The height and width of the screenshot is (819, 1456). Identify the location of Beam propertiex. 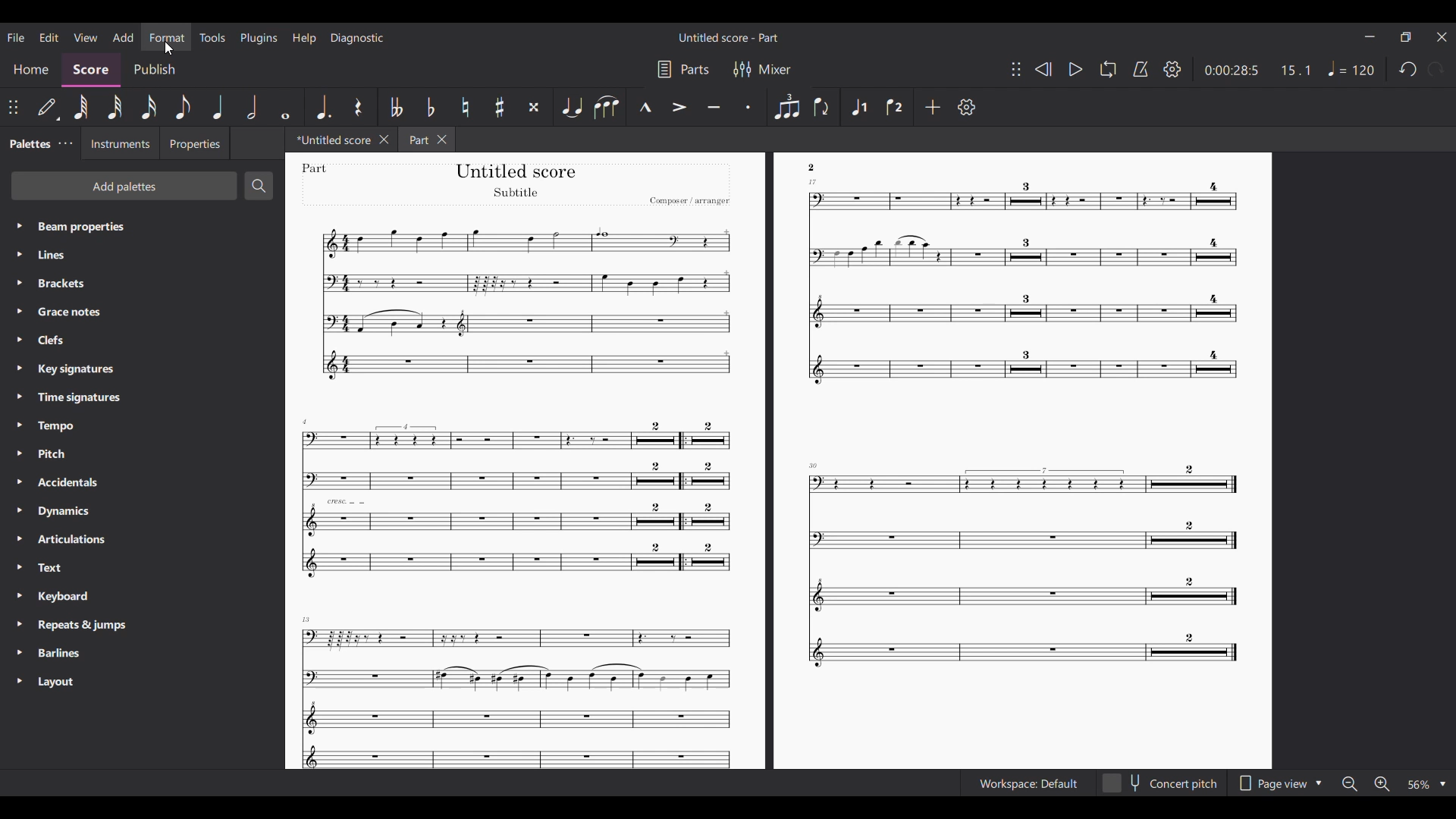
(78, 226).